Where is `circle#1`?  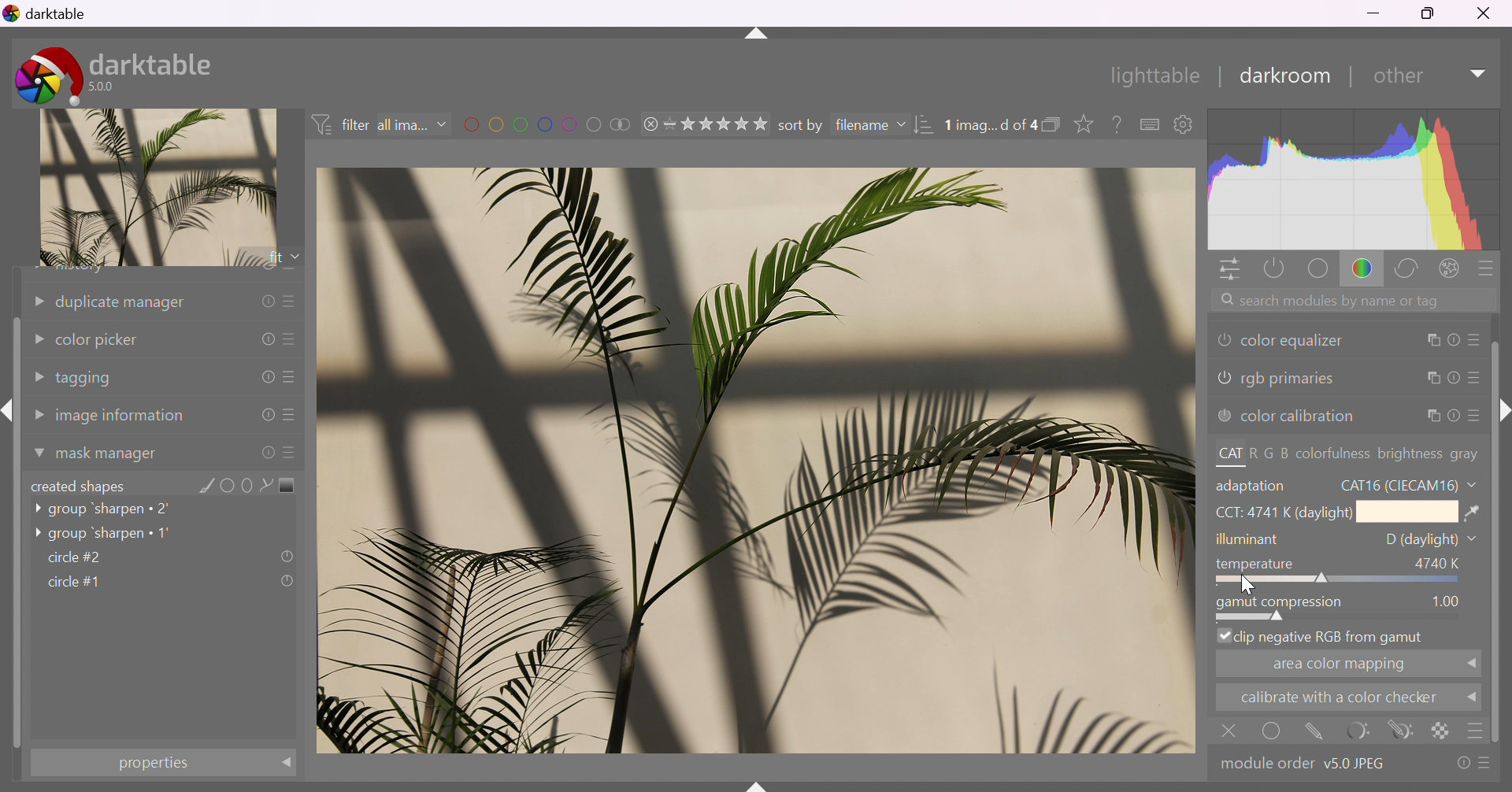 circle#1 is located at coordinates (173, 580).